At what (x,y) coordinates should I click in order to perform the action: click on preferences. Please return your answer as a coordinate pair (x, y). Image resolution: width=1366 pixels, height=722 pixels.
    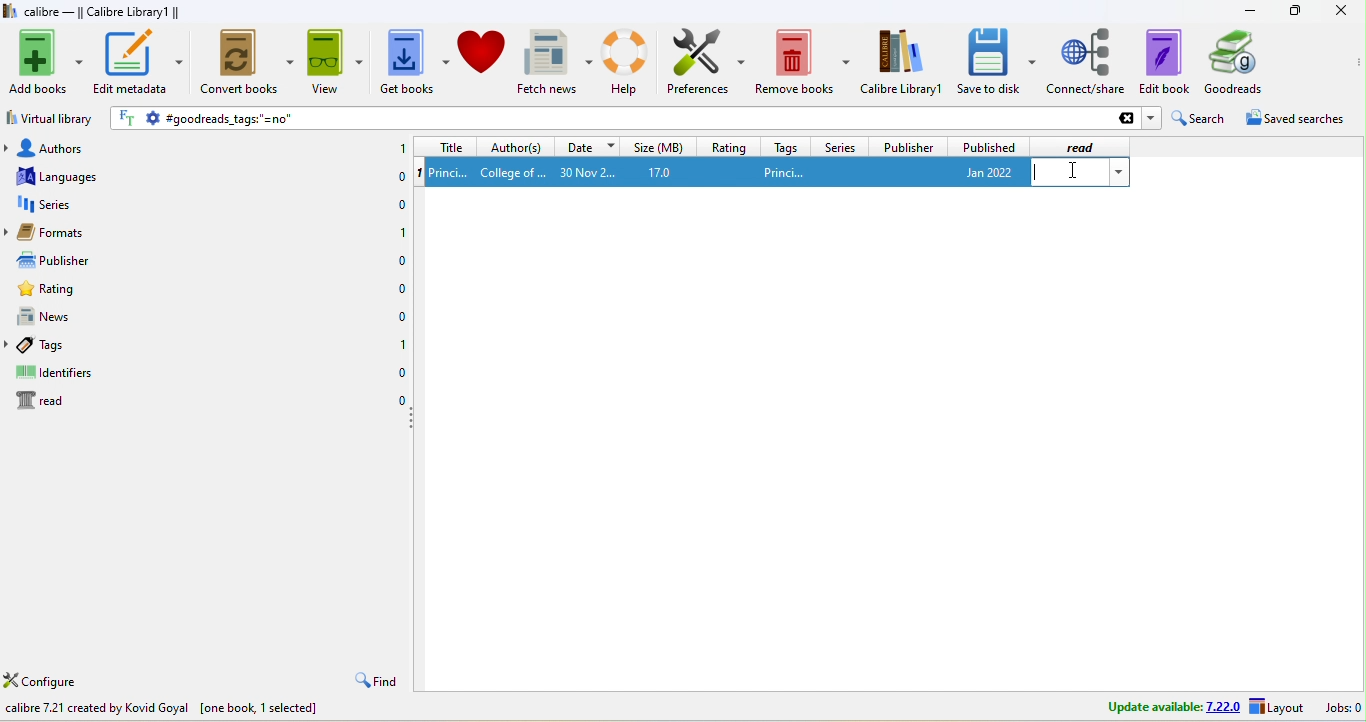
    Looking at the image, I should click on (706, 62).